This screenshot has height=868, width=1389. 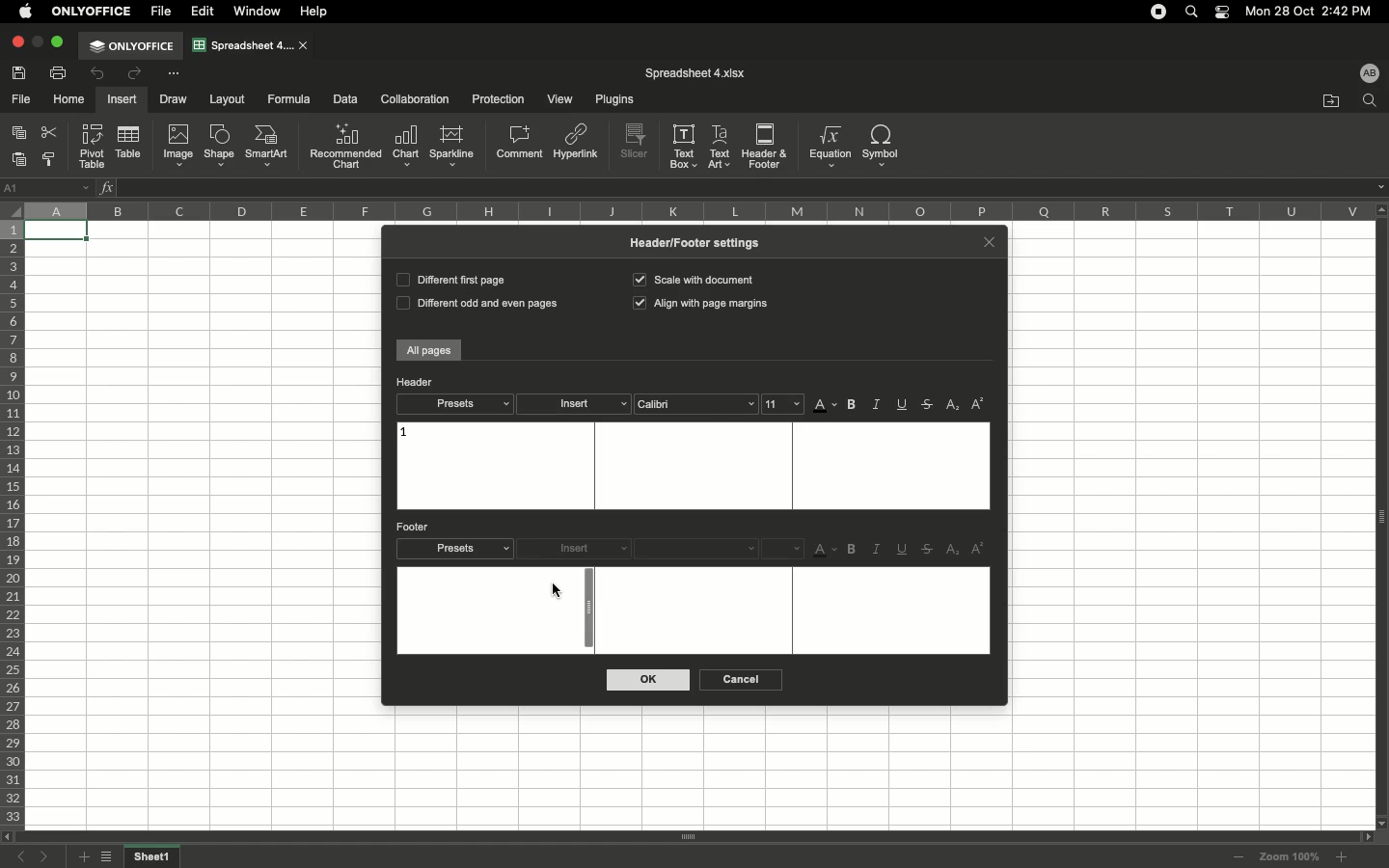 What do you see at coordinates (345, 98) in the screenshot?
I see `Data` at bounding box center [345, 98].